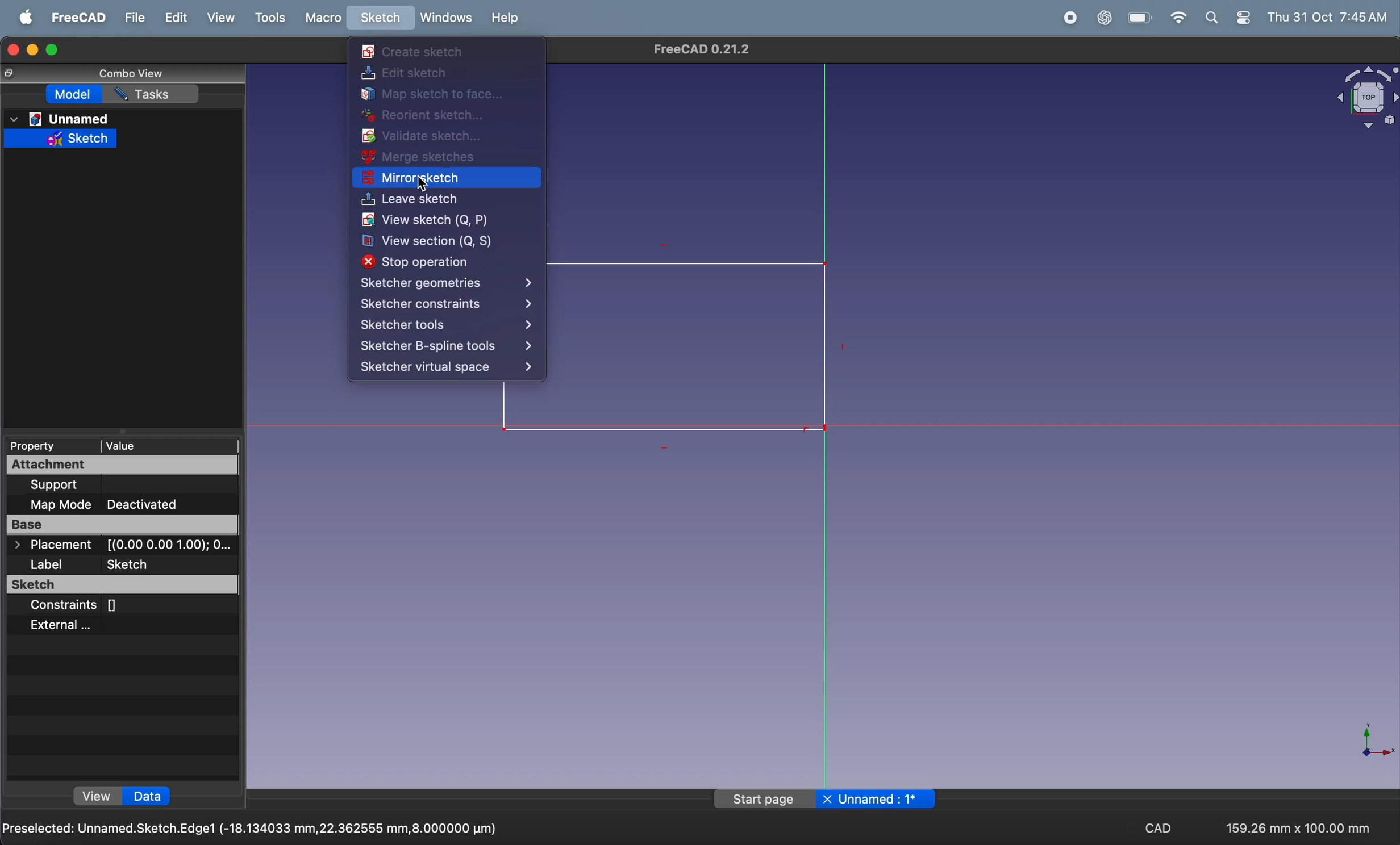  I want to click on view data, so click(116, 796).